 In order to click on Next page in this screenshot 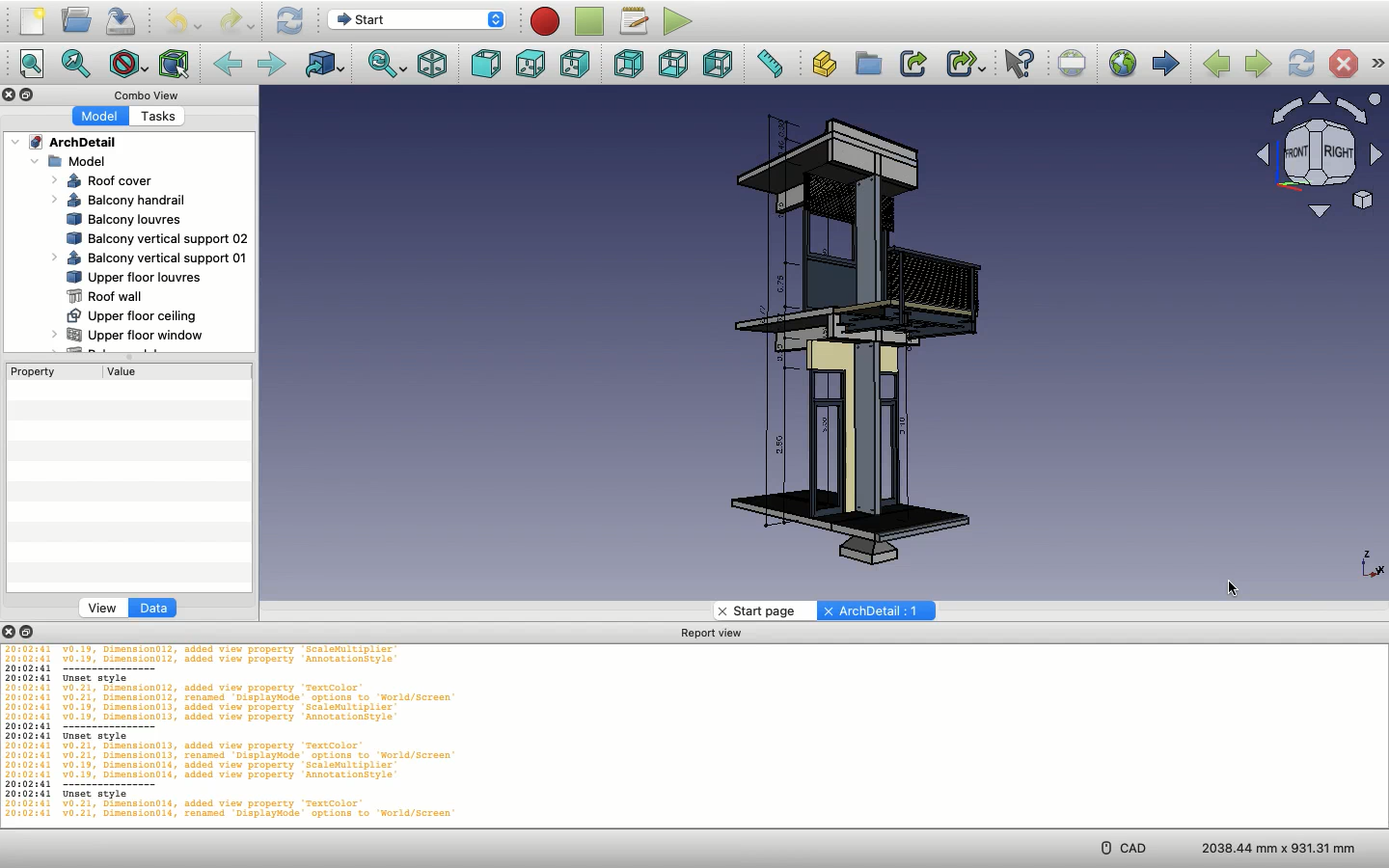, I will do `click(1258, 64)`.